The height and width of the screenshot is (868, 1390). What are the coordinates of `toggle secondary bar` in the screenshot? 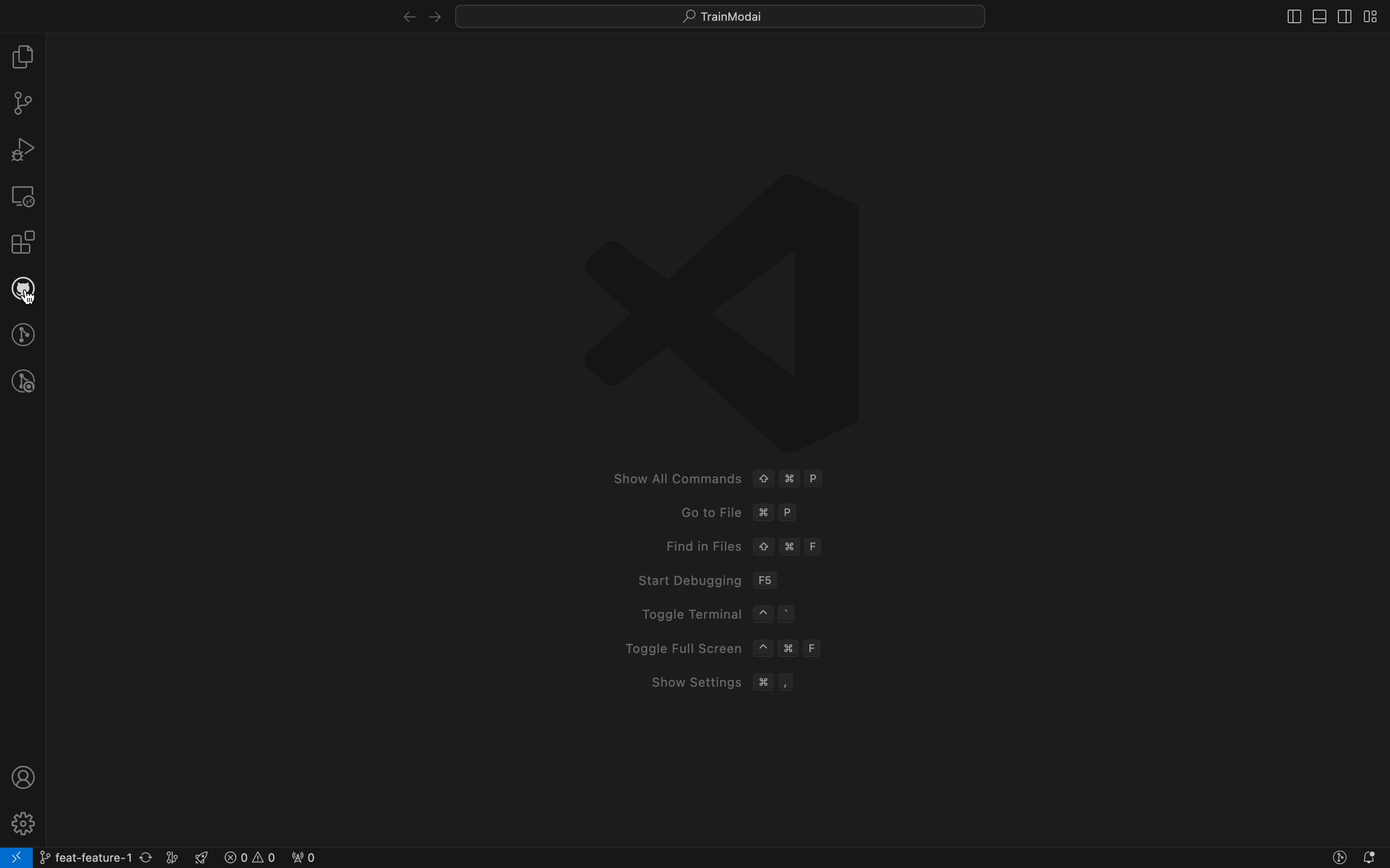 It's located at (1342, 17).